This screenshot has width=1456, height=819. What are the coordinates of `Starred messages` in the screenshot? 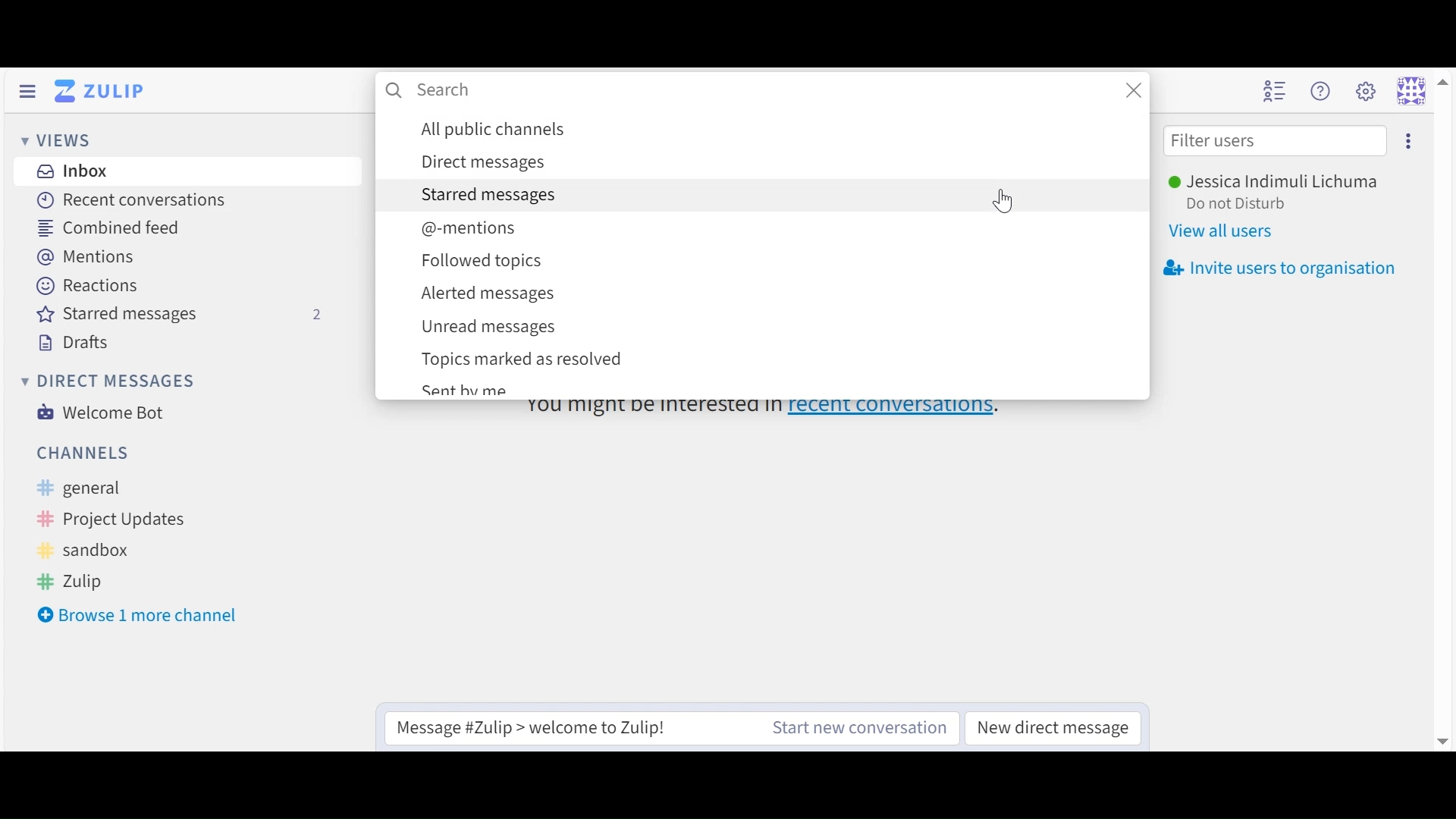 It's located at (187, 316).